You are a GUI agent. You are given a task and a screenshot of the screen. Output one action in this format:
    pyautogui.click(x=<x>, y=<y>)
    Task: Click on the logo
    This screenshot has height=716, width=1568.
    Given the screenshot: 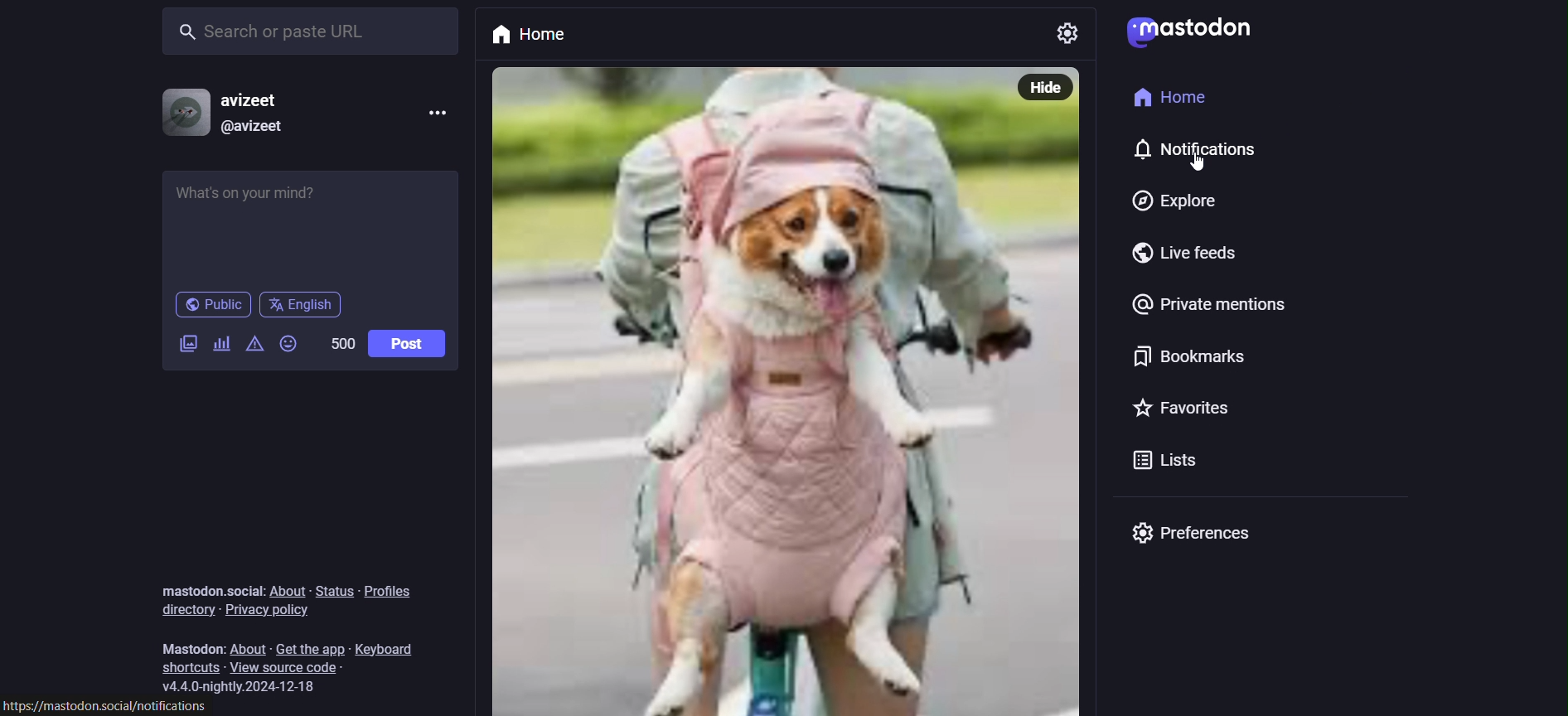 What is the action you would take?
    pyautogui.click(x=1187, y=31)
    